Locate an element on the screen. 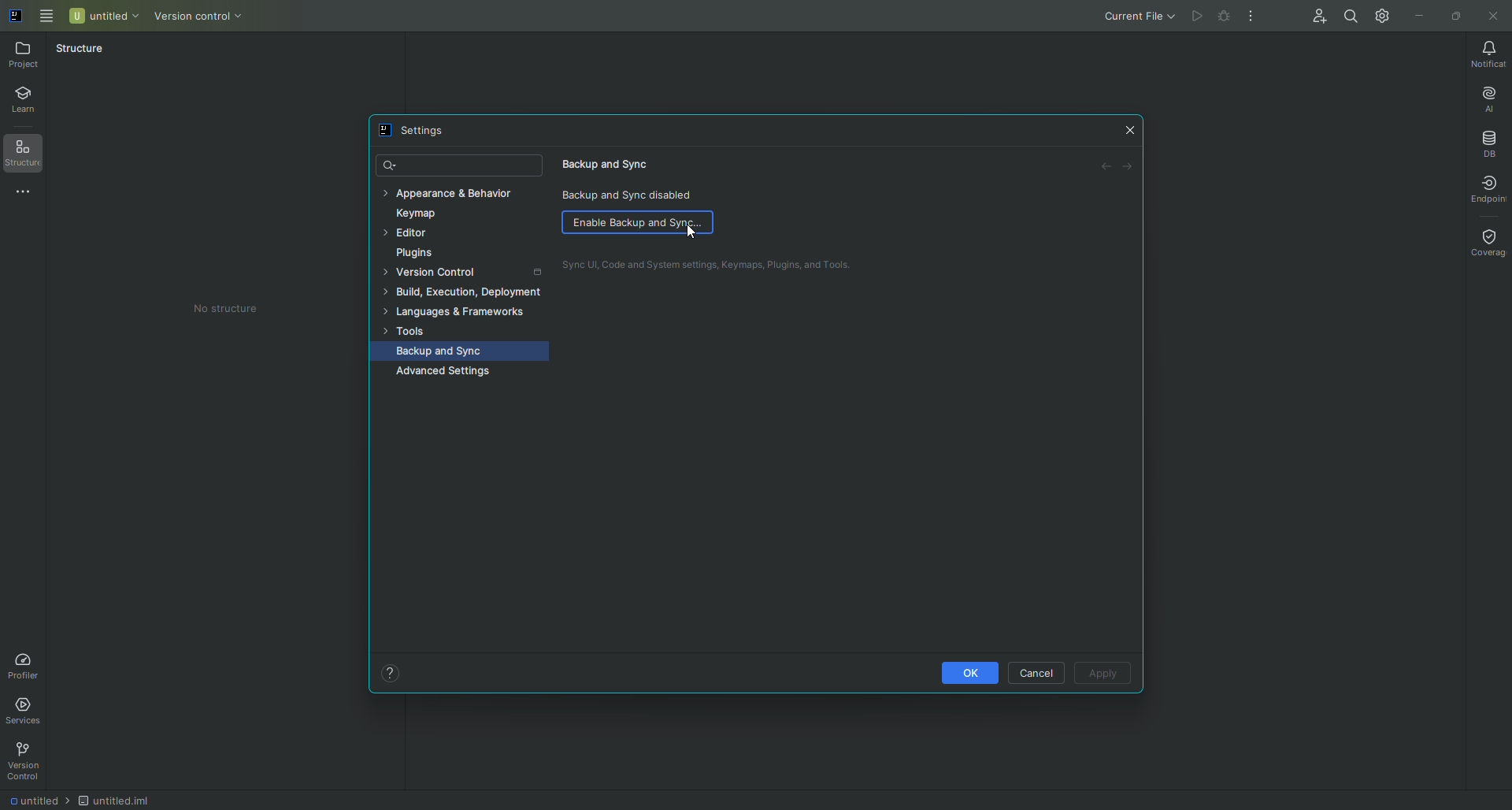 The image size is (1512, 810). Back is located at coordinates (1102, 169).